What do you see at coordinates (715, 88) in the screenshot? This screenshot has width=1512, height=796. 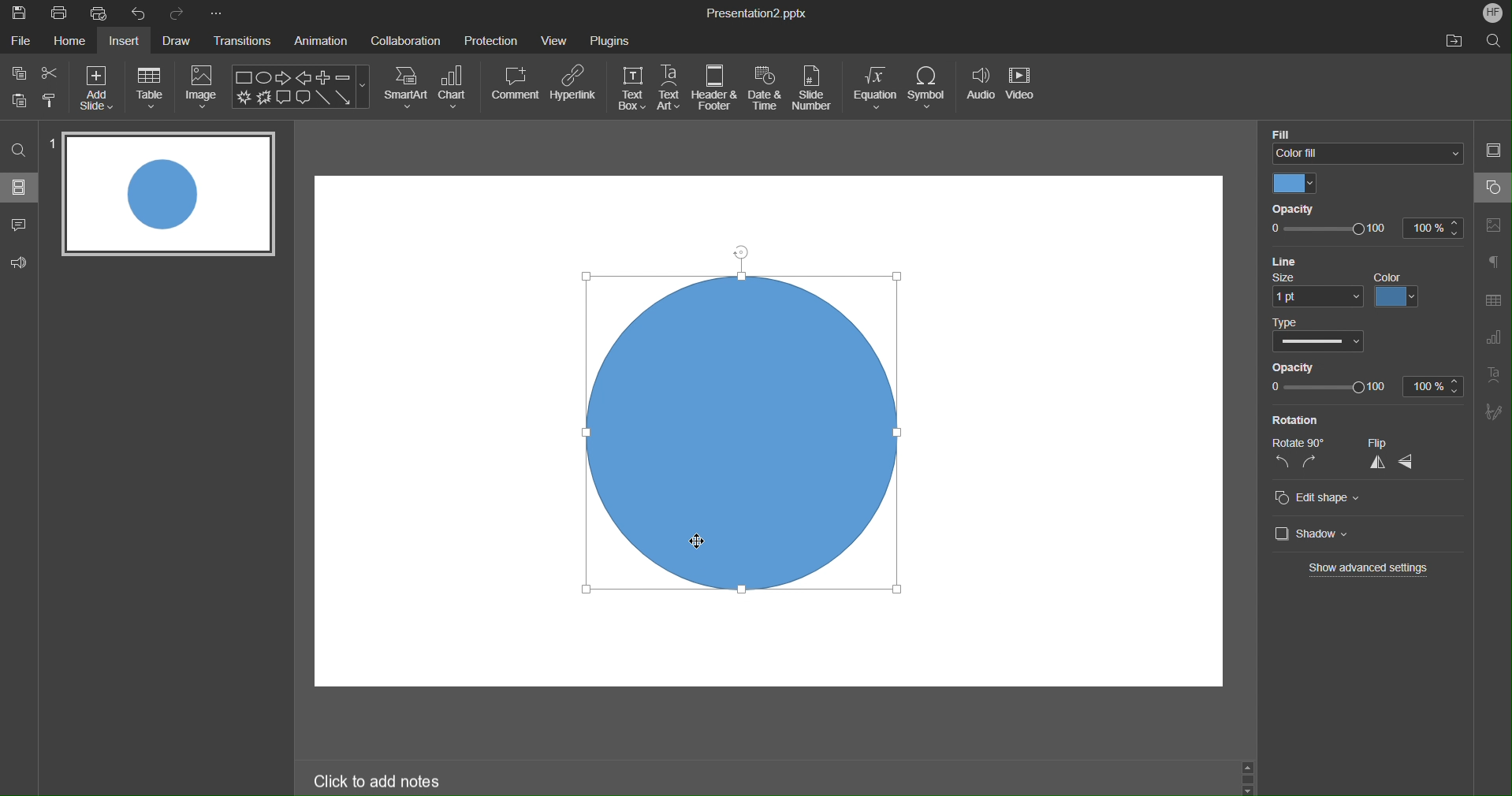 I see `Header & Footer` at bounding box center [715, 88].